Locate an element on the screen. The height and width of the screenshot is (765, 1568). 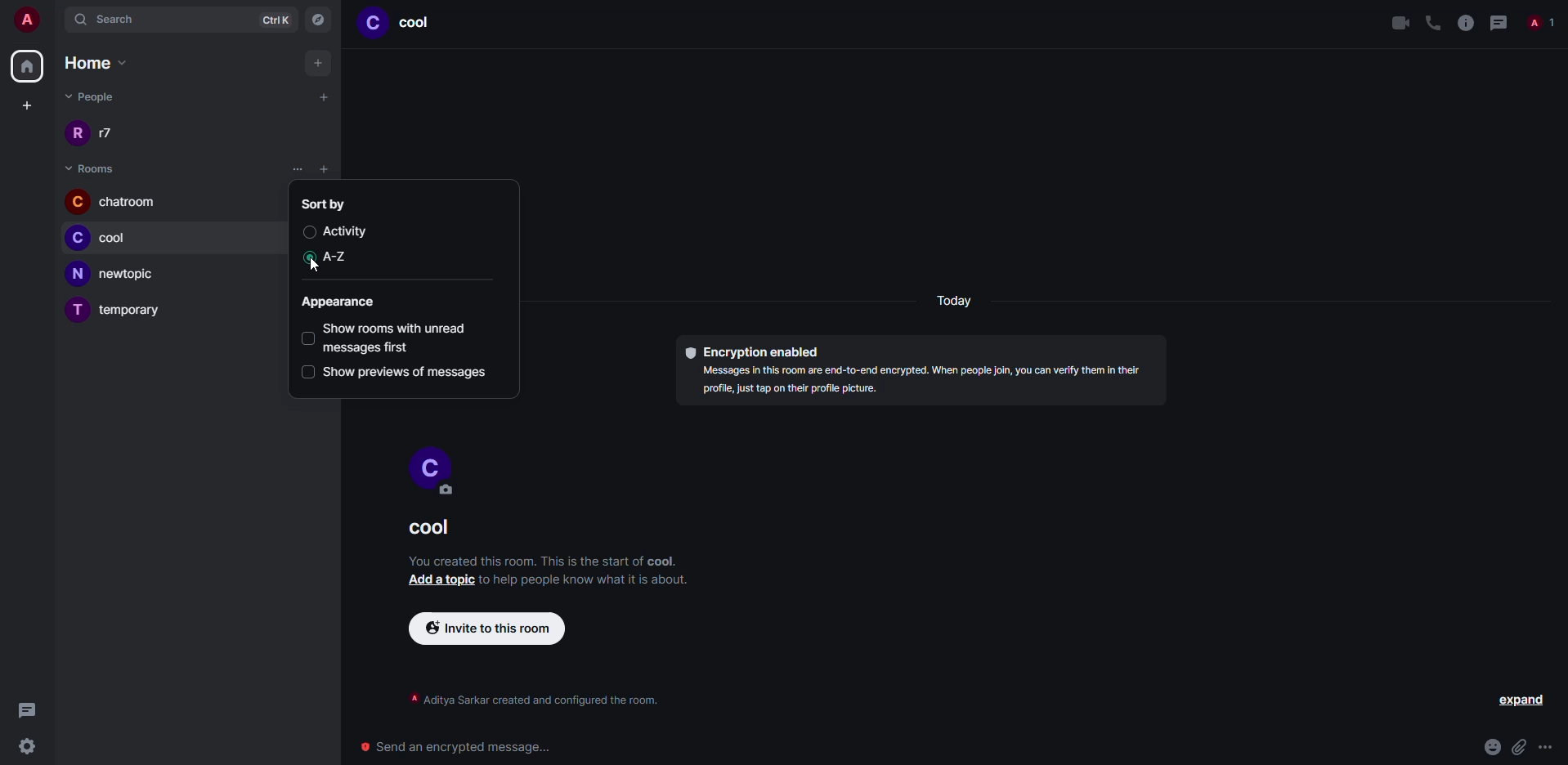
attach is located at coordinates (1520, 747).